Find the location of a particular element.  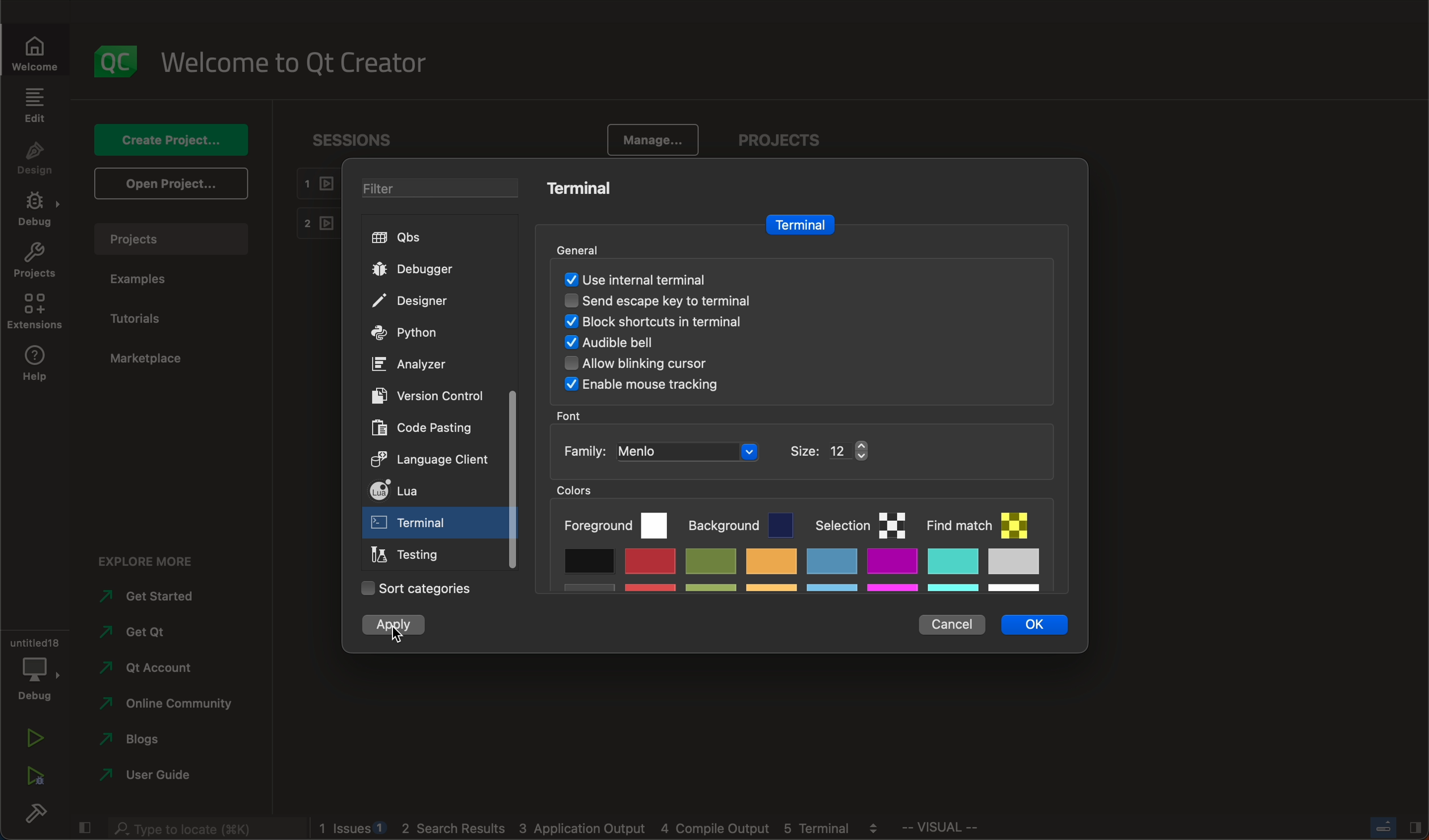

logo is located at coordinates (119, 60).